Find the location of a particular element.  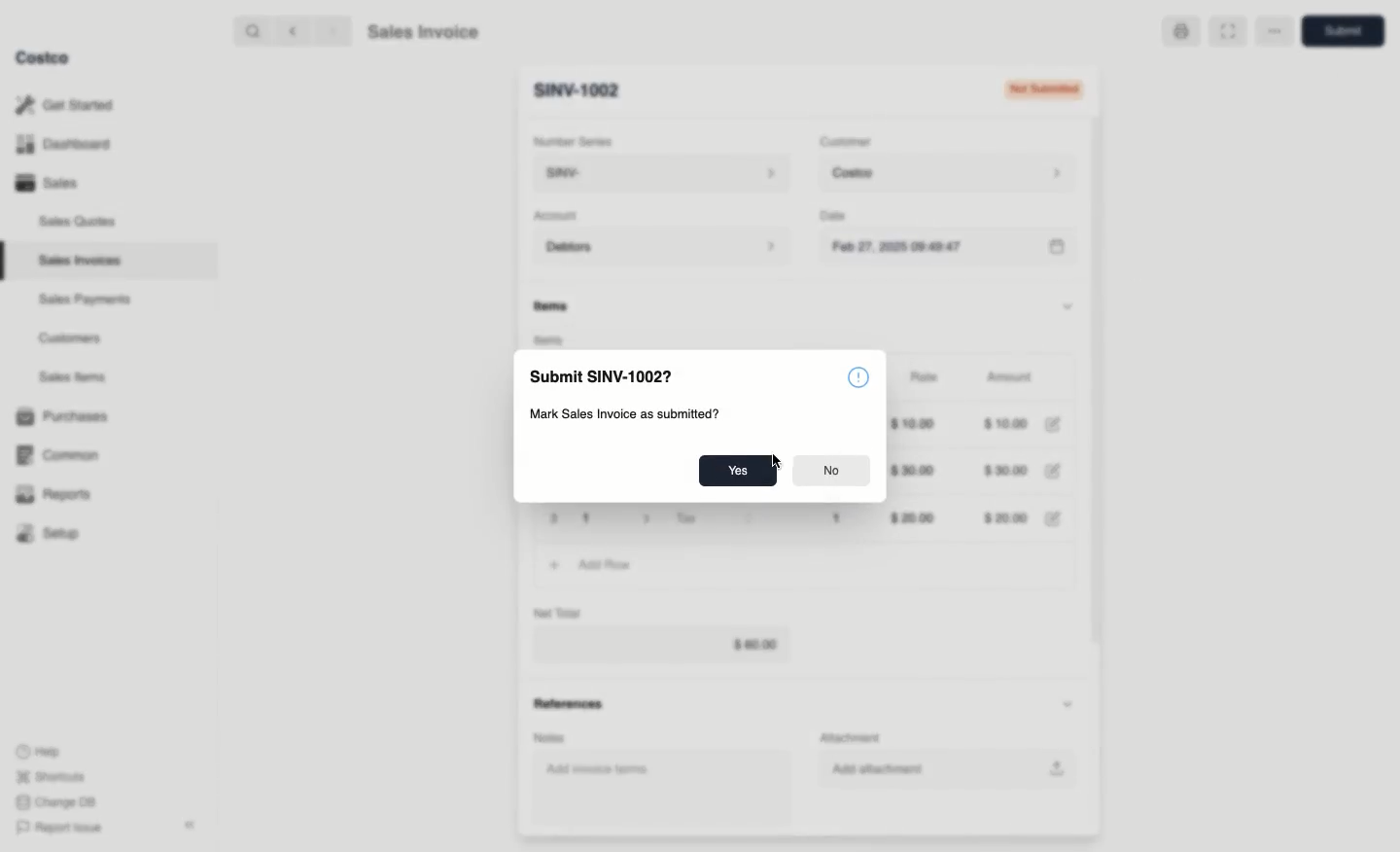

Common is located at coordinates (53, 453).